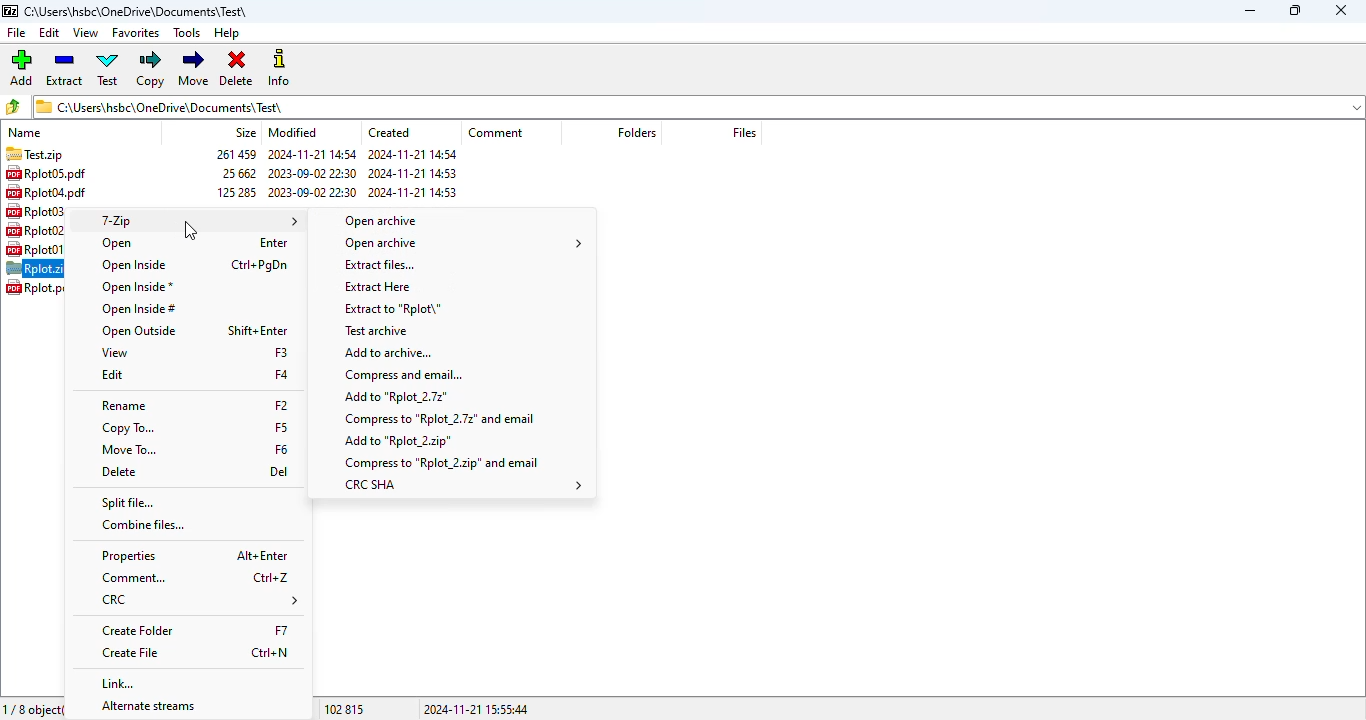  I want to click on files, so click(745, 132).